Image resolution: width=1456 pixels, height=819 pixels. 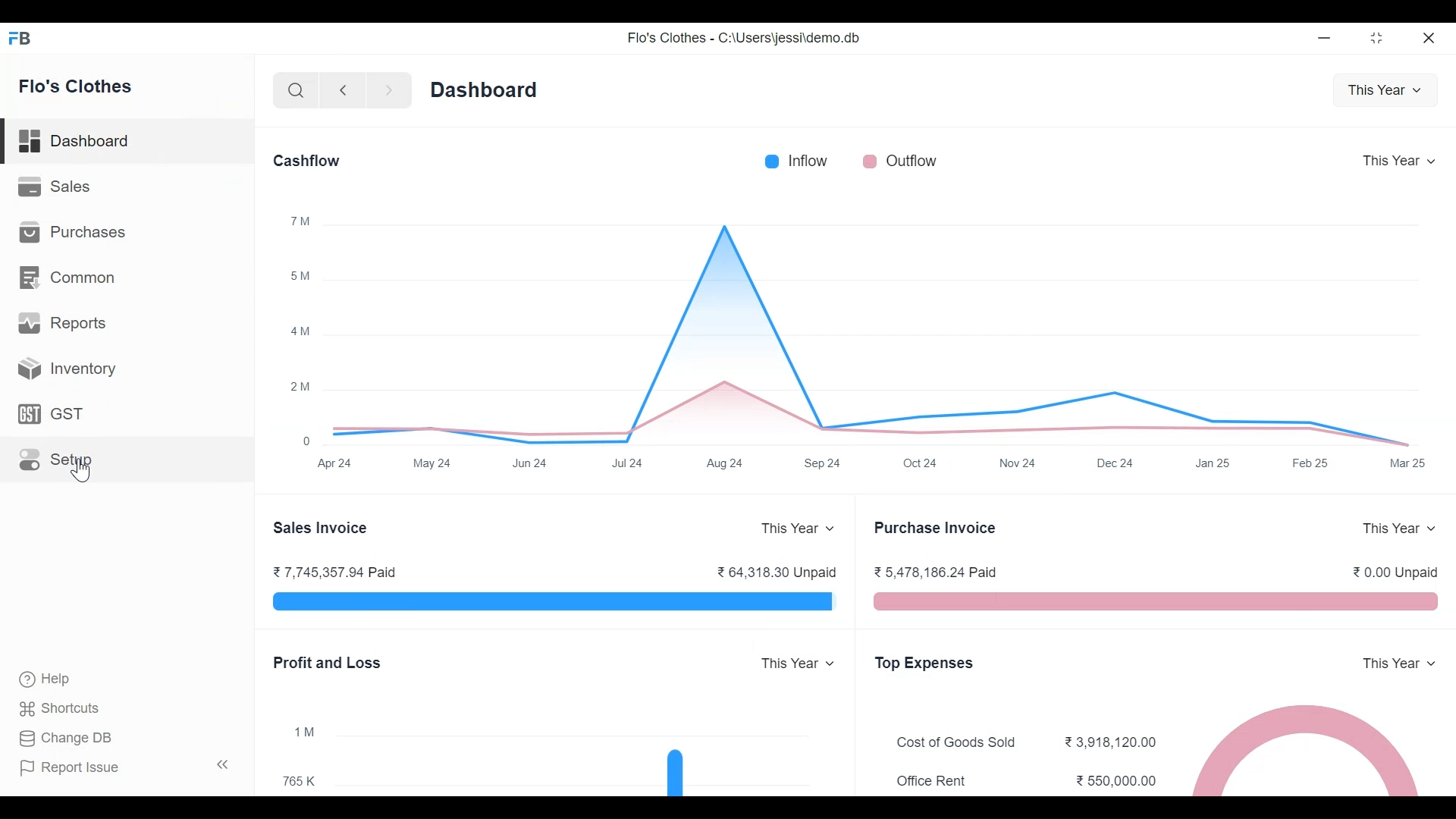 I want to click on ₹ 0.00 Unpaid, so click(x=1392, y=572).